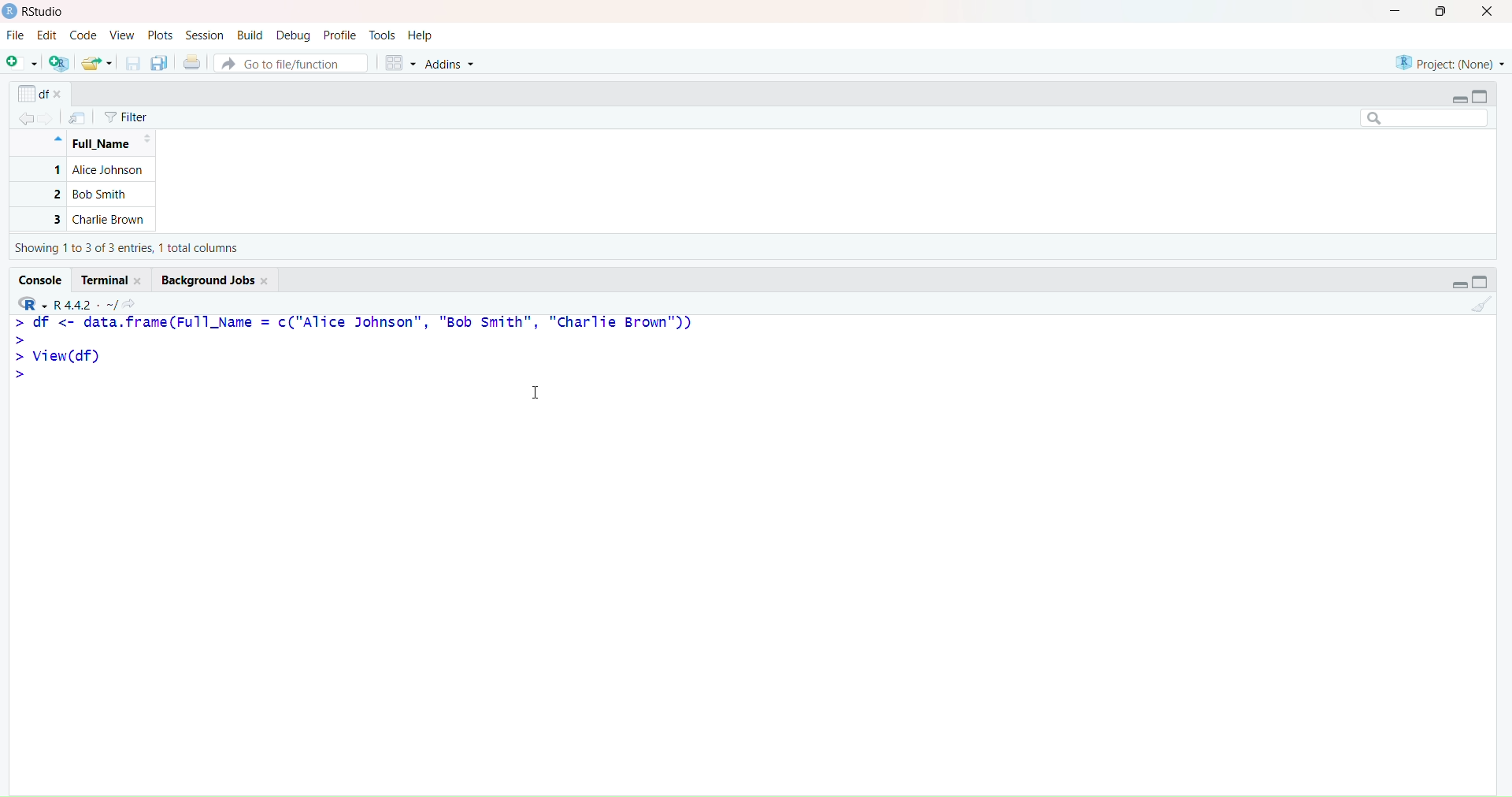  Describe the element at coordinates (1396, 14) in the screenshot. I see `Minimize` at that location.